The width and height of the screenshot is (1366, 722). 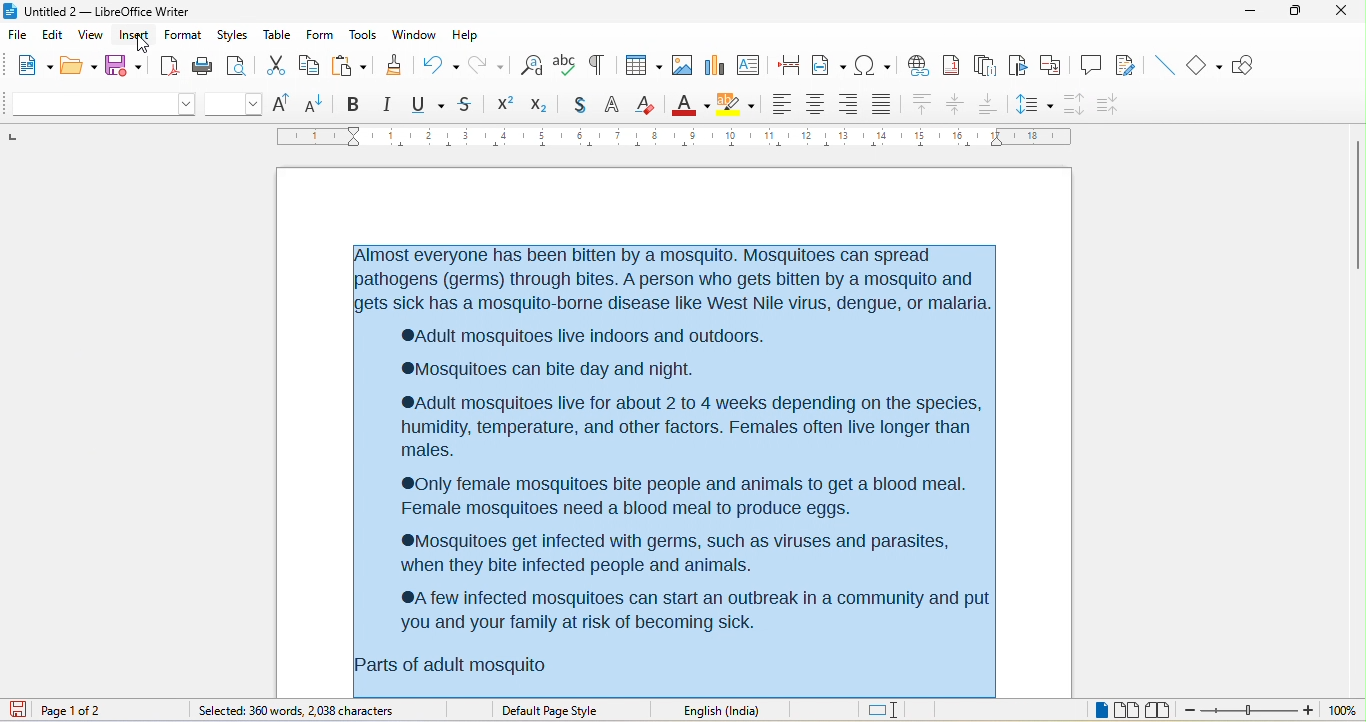 What do you see at coordinates (787, 63) in the screenshot?
I see `page break` at bounding box center [787, 63].